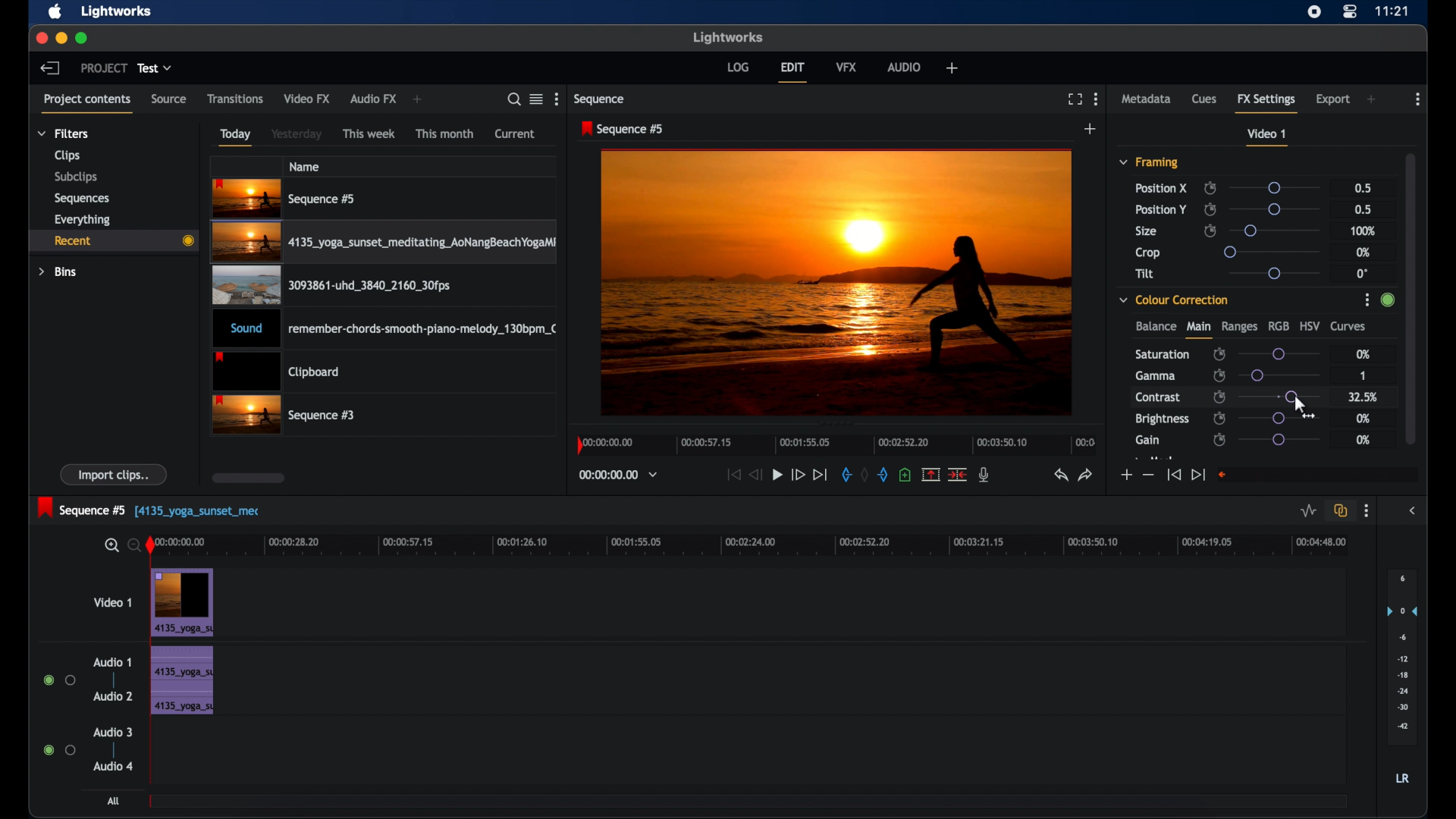 This screenshot has width=1456, height=819. What do you see at coordinates (117, 11) in the screenshot?
I see `lightworks` at bounding box center [117, 11].